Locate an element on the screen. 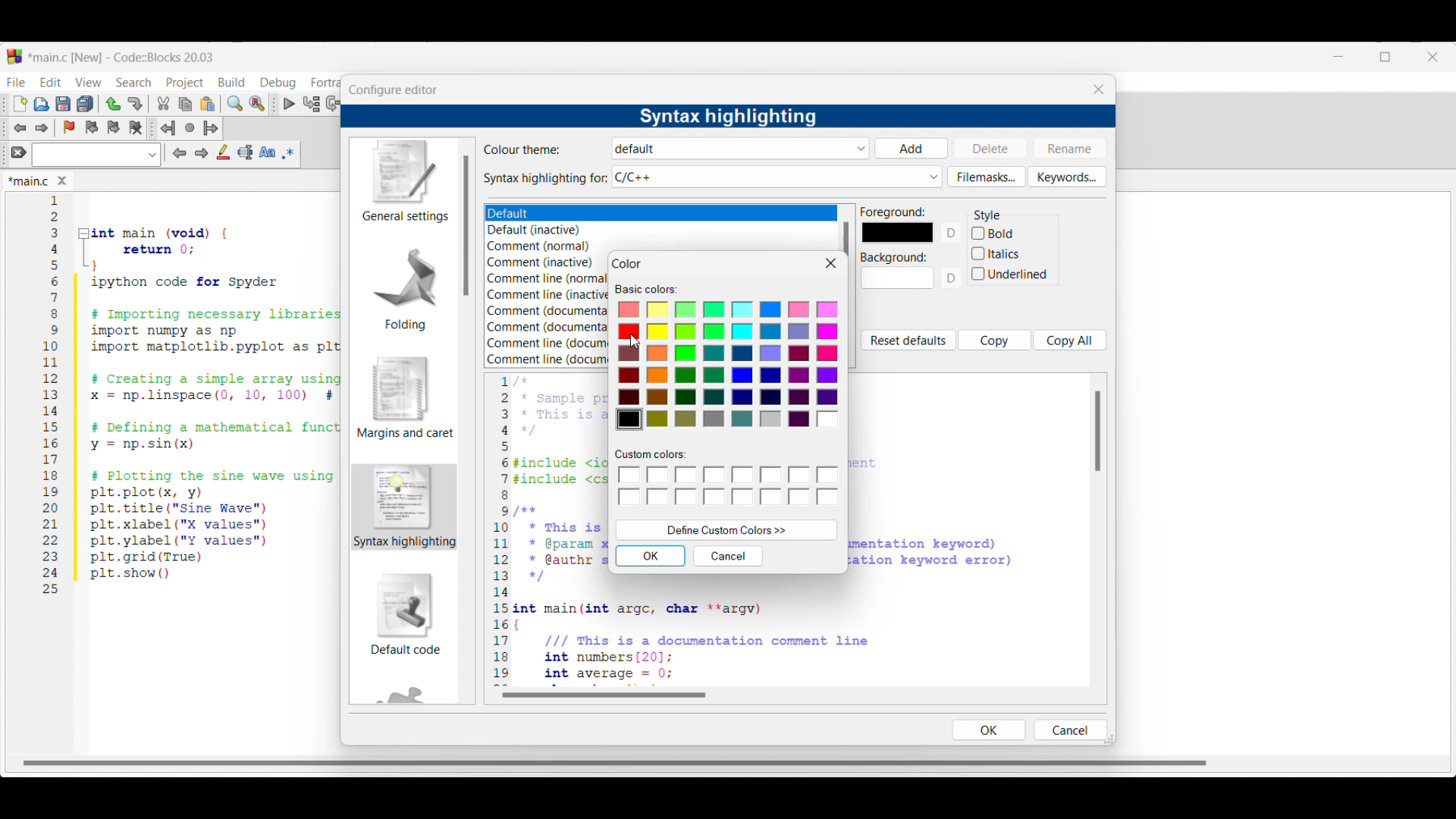 The height and width of the screenshot is (819, 1456). Filemasks is located at coordinates (987, 177).